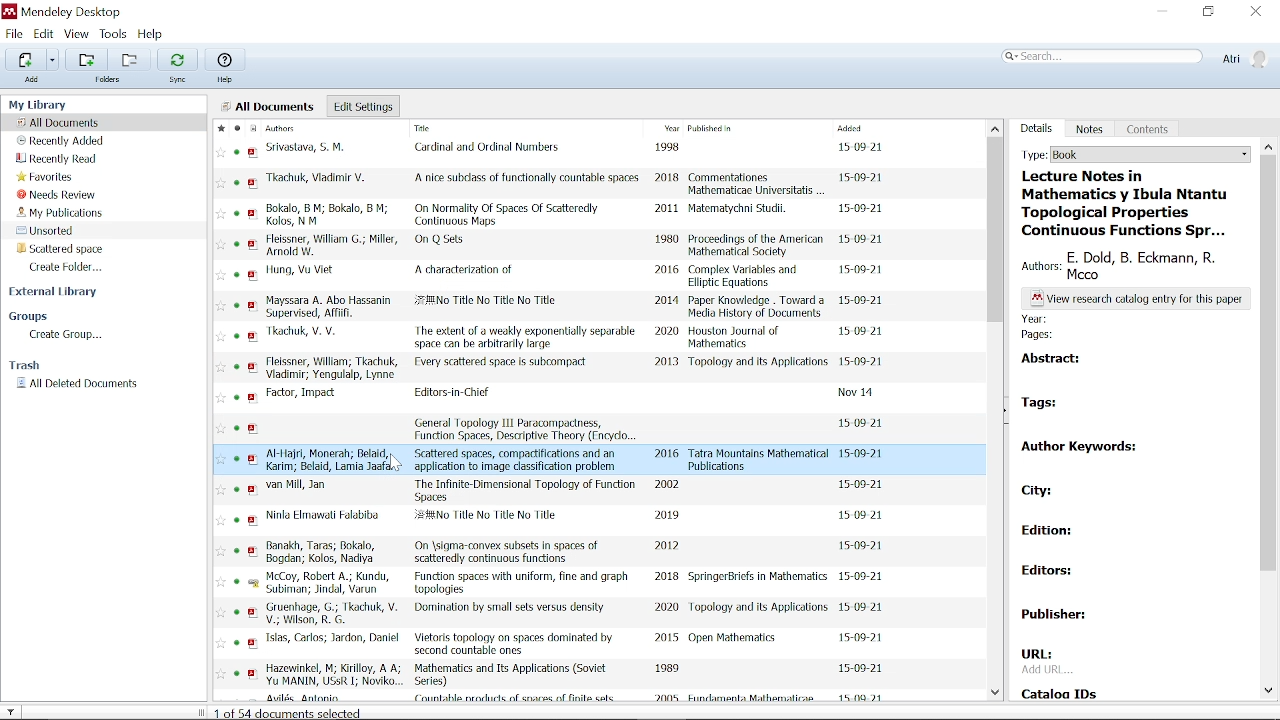  I want to click on authors, so click(333, 675).